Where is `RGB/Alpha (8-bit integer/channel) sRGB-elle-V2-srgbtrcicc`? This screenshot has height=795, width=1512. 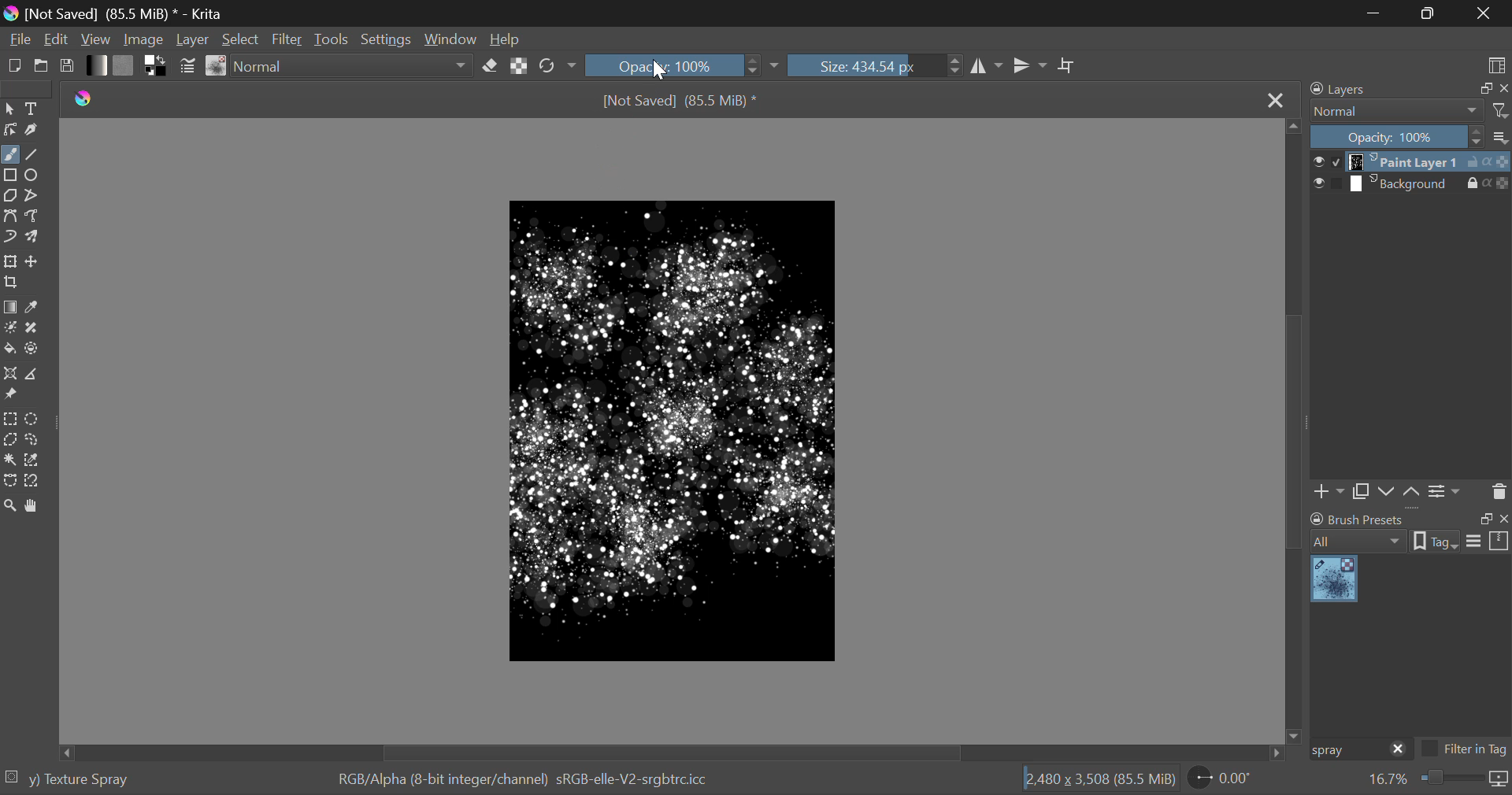 RGB/Alpha (8-bit integer/channel) sRGB-elle-V2-srgbtrcicc is located at coordinates (524, 780).